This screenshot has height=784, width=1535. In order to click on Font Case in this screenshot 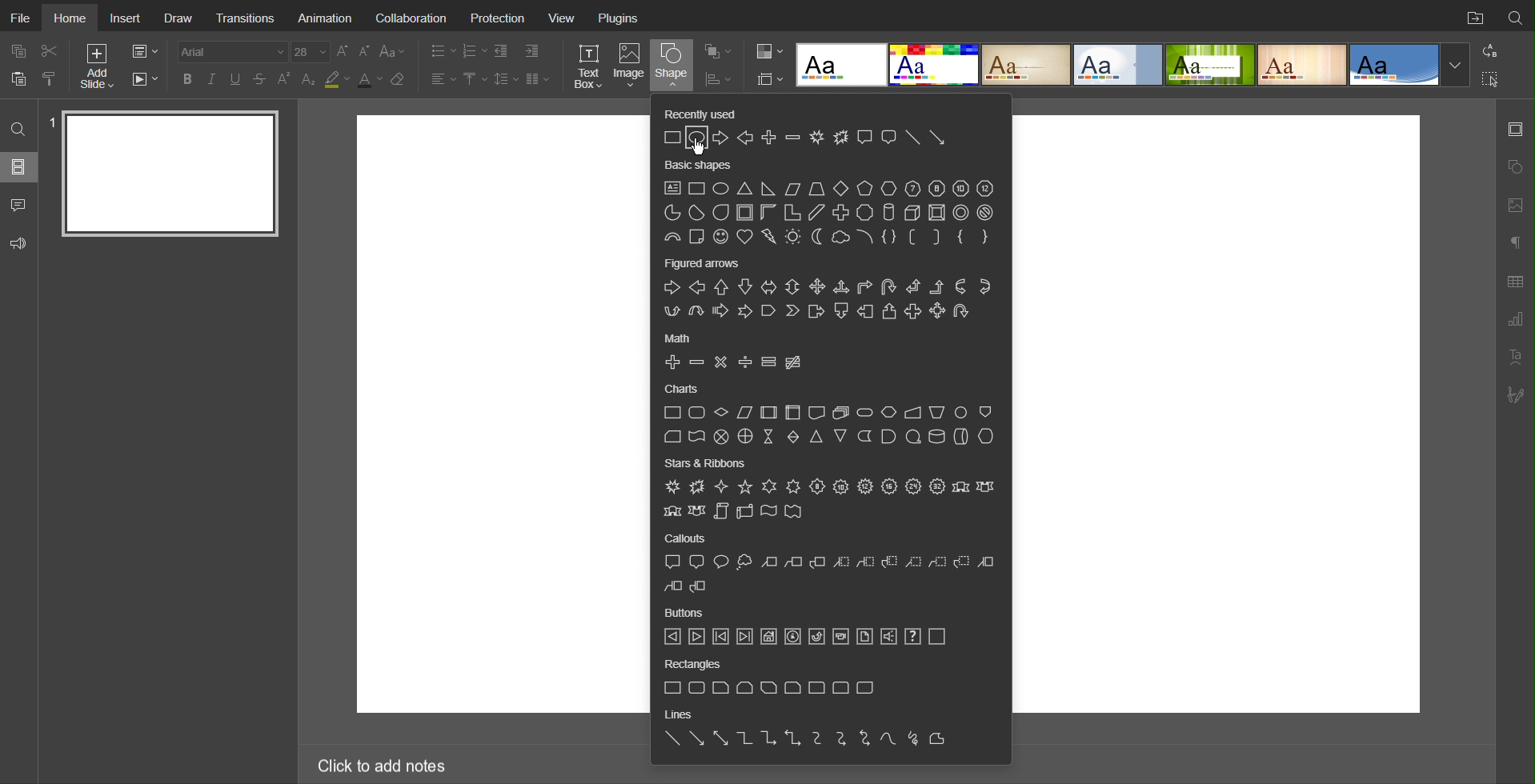, I will do `click(394, 51)`.